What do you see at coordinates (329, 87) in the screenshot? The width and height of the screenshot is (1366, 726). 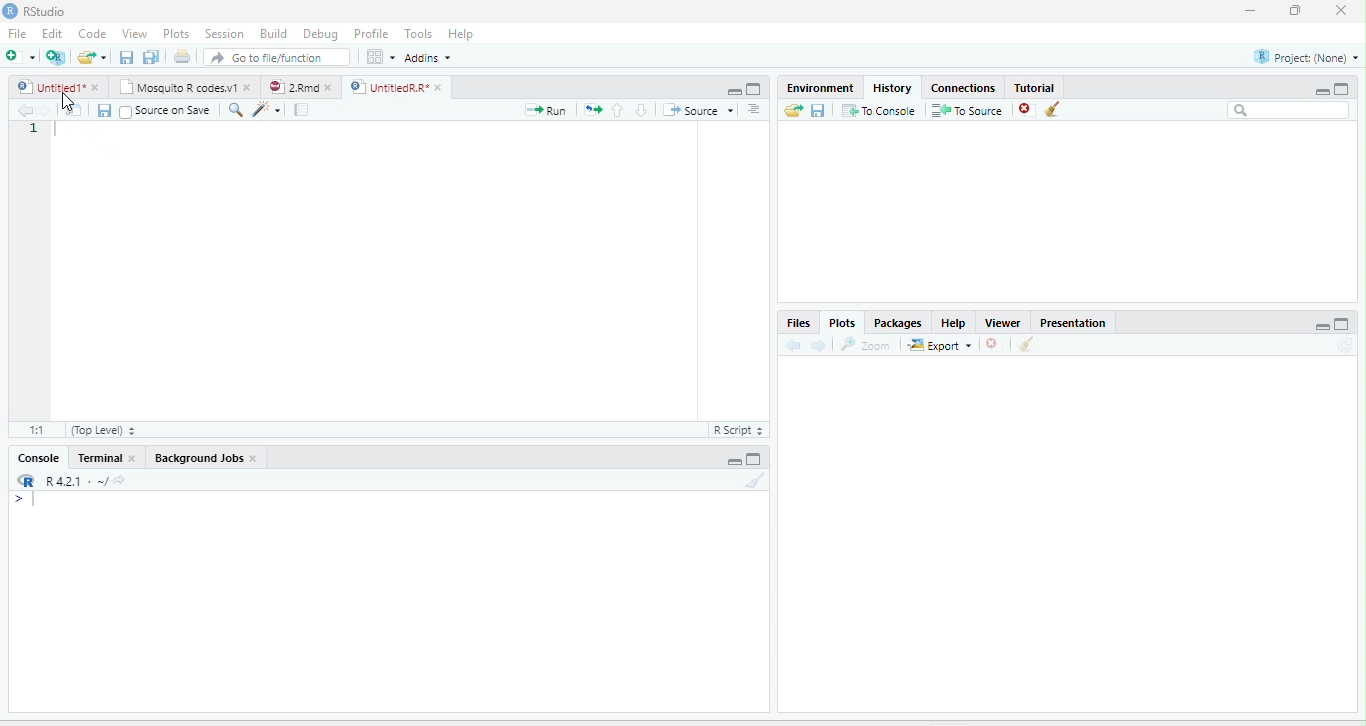 I see `close` at bounding box center [329, 87].